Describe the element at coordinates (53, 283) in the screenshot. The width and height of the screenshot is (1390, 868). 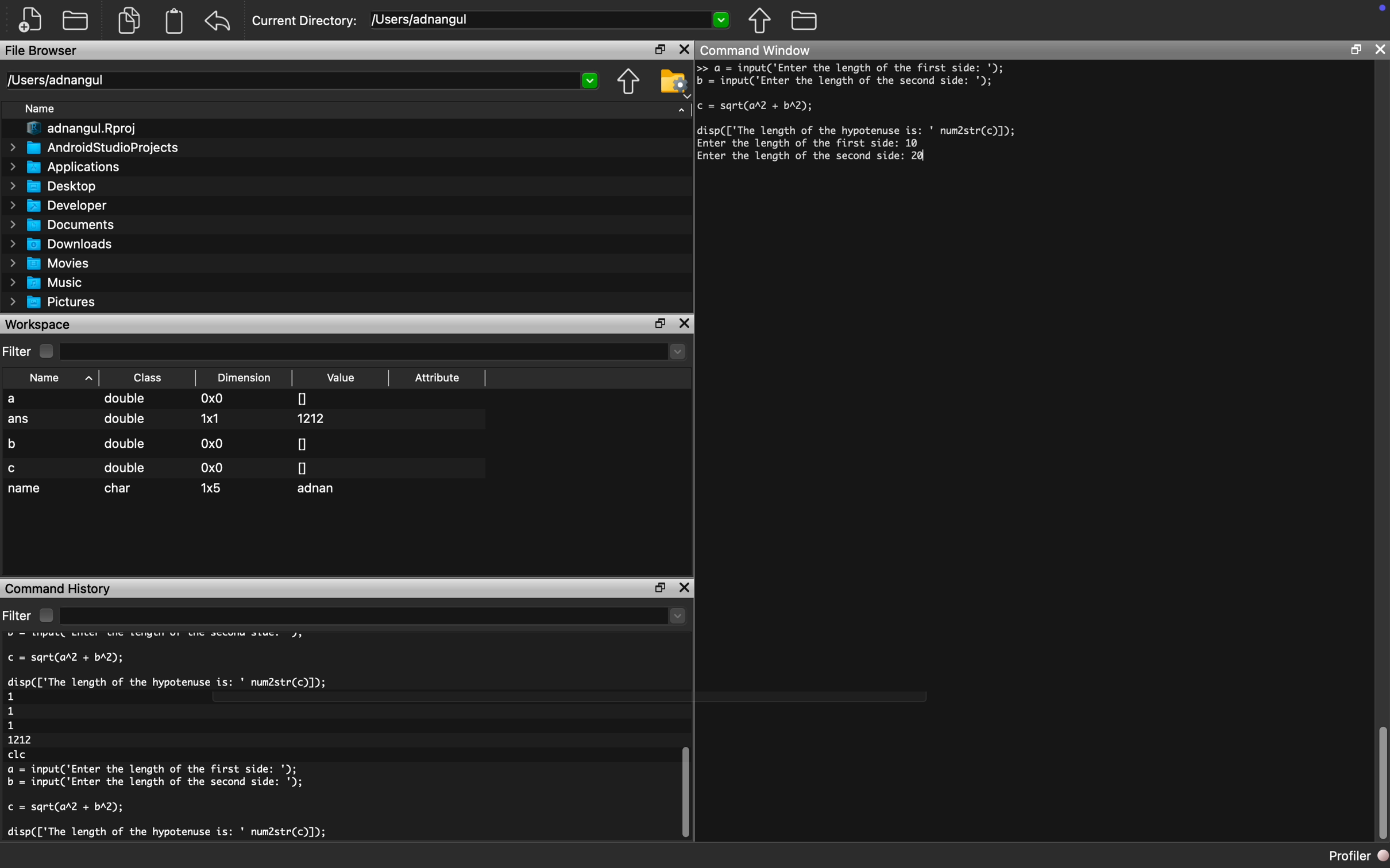
I see `Music` at that location.